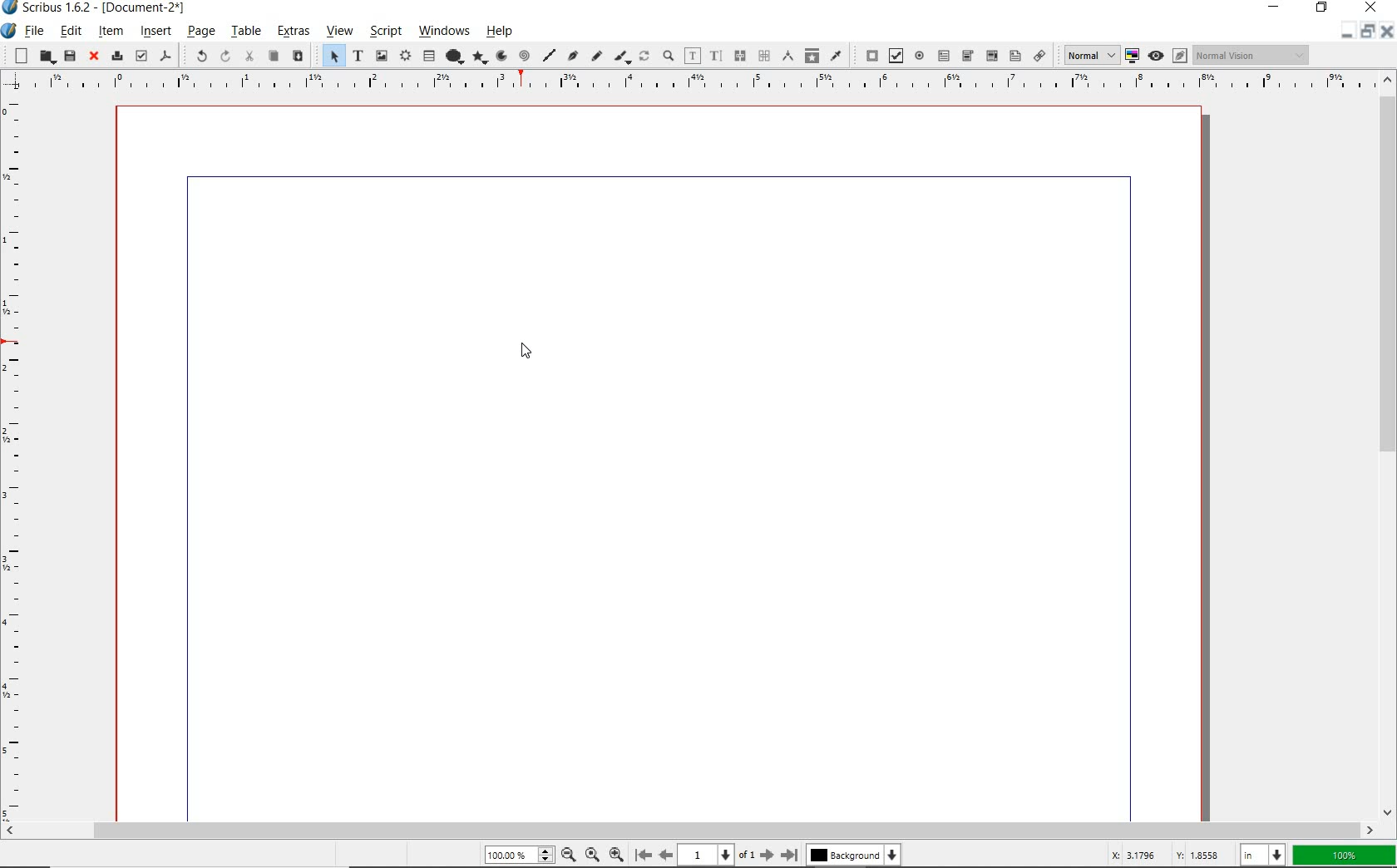 Image resolution: width=1397 pixels, height=868 pixels. I want to click on unlink text frames, so click(763, 55).